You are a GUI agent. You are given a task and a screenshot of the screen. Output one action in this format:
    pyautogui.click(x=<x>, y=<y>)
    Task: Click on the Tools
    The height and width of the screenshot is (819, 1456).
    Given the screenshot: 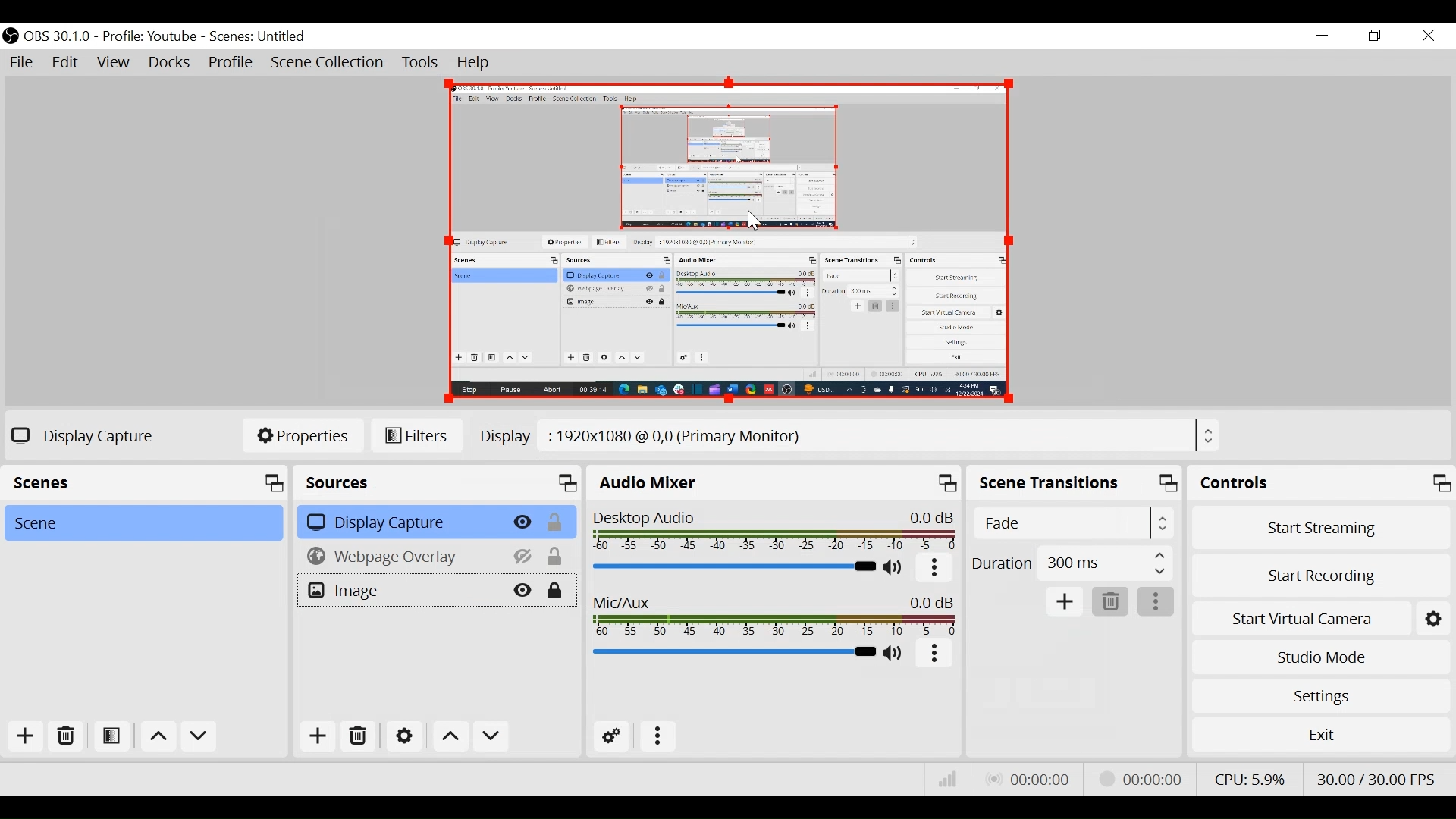 What is the action you would take?
    pyautogui.click(x=421, y=63)
    